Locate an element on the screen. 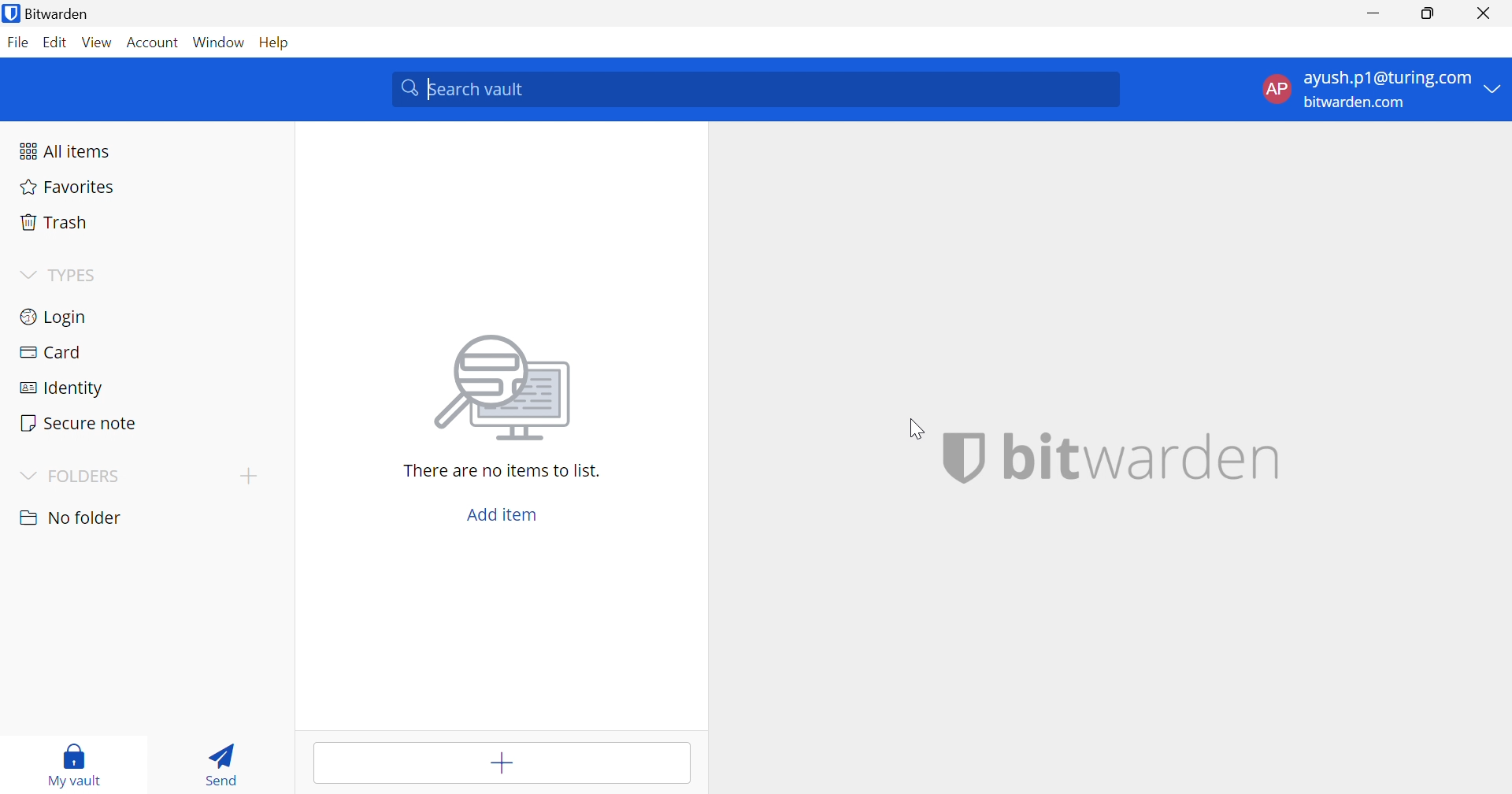  All items is located at coordinates (65, 150).